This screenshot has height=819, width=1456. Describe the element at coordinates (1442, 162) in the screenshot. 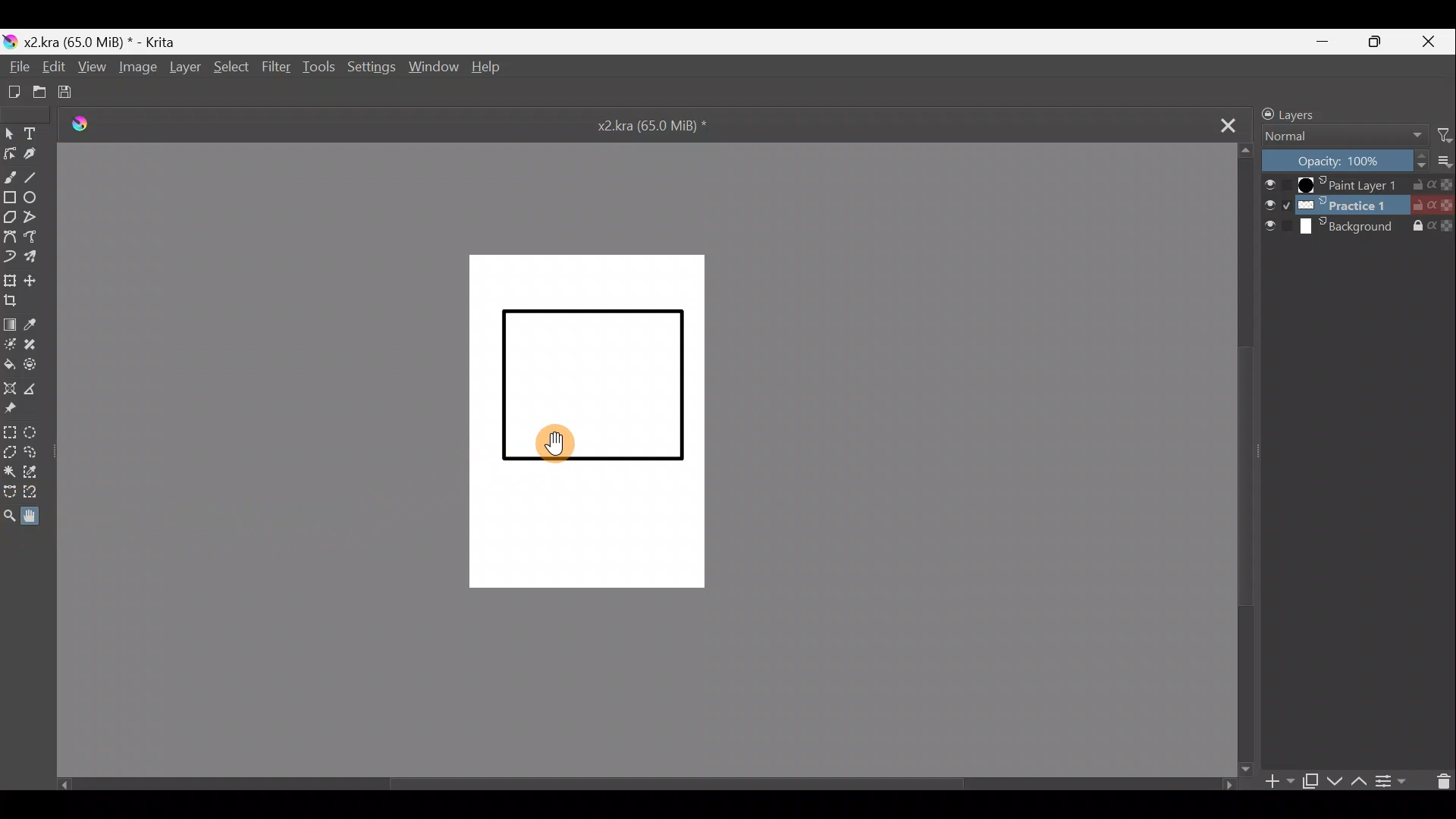

I see `More` at that location.